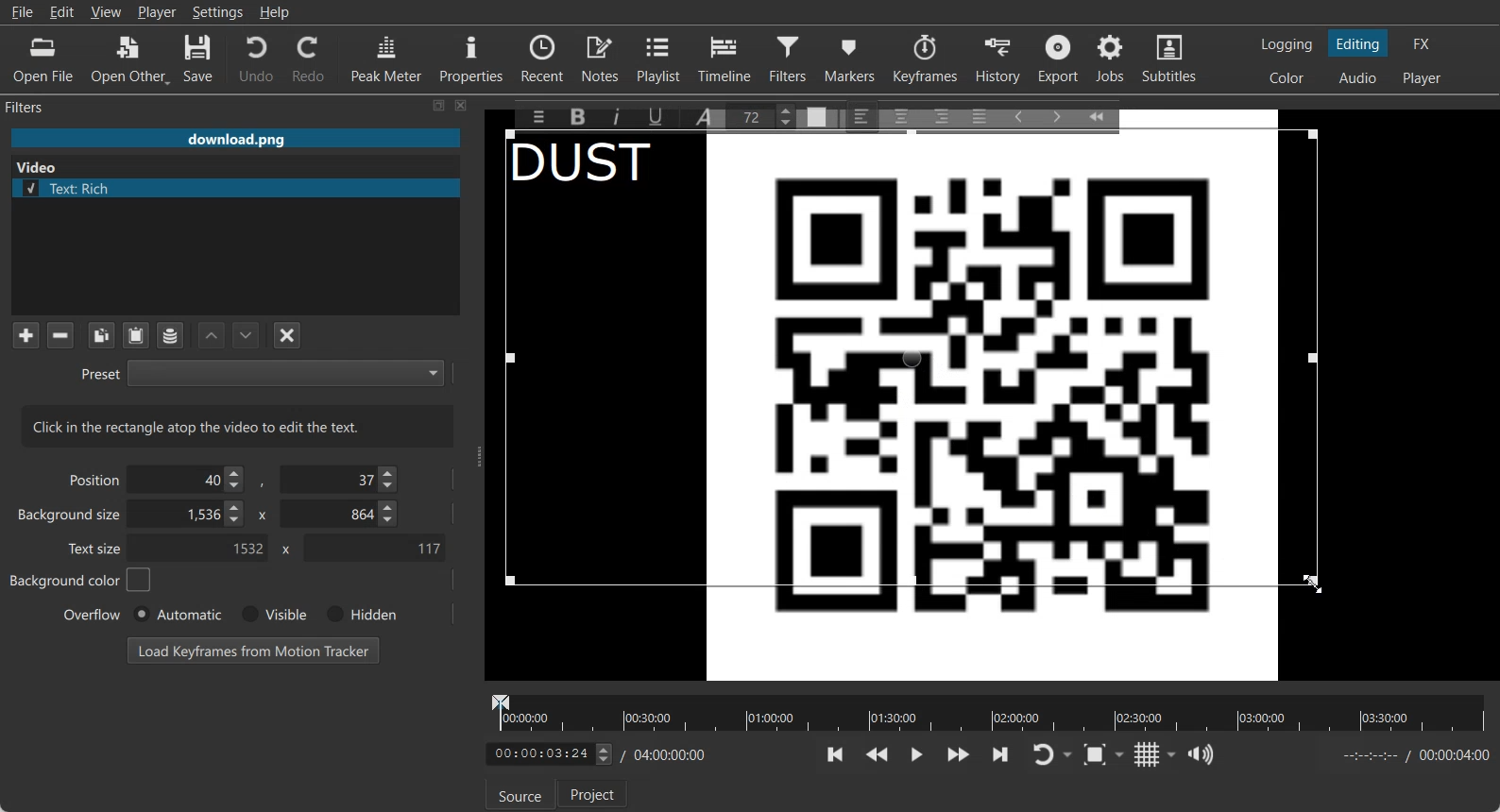 The width and height of the screenshot is (1500, 812). I want to click on Show the volume control, so click(1201, 755).